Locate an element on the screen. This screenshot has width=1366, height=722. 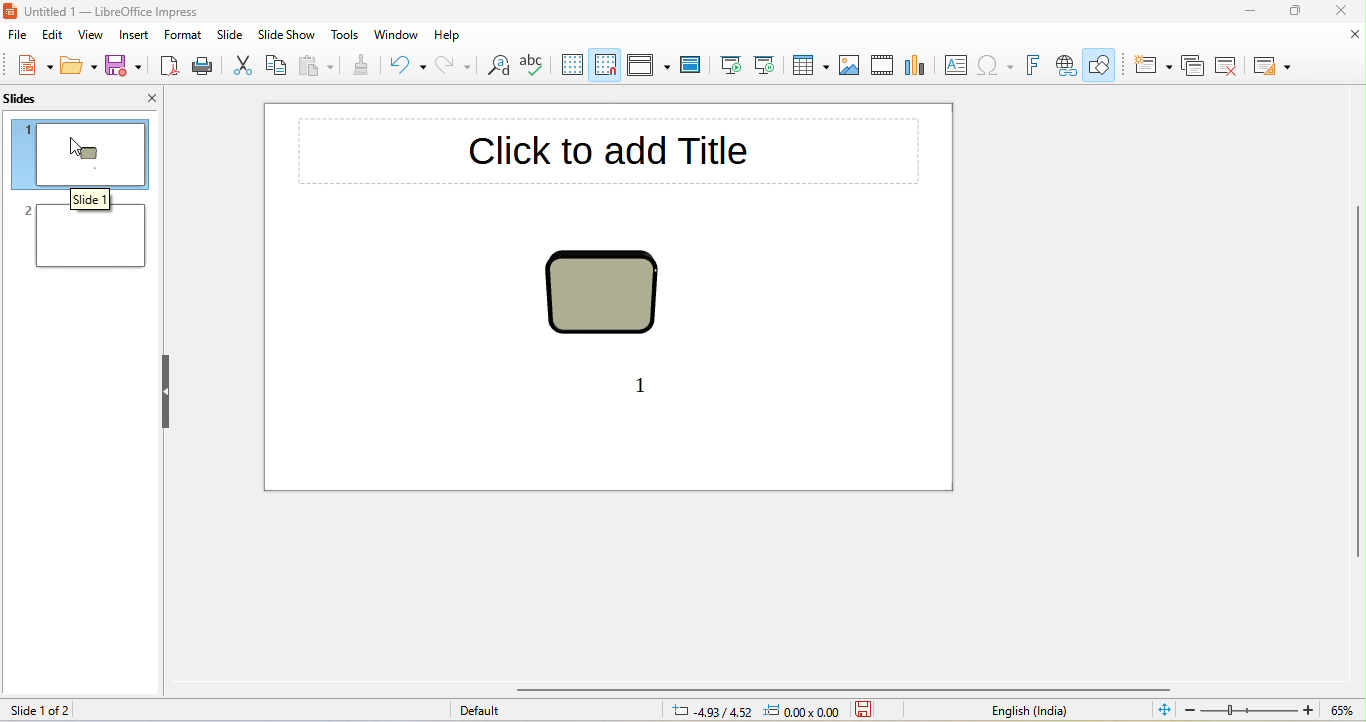
copy is located at coordinates (279, 67).